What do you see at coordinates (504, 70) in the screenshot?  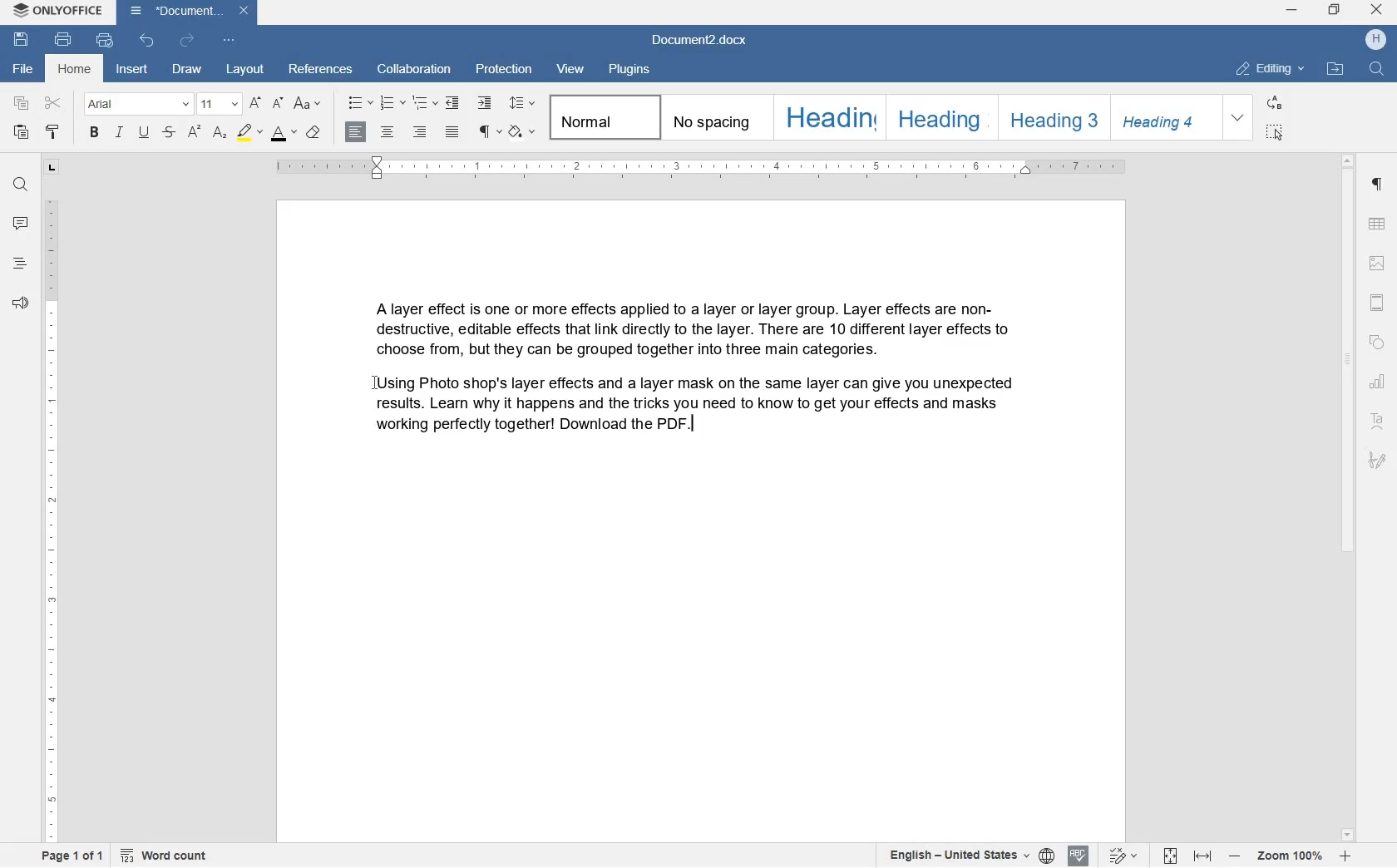 I see `PROTECTION` at bounding box center [504, 70].